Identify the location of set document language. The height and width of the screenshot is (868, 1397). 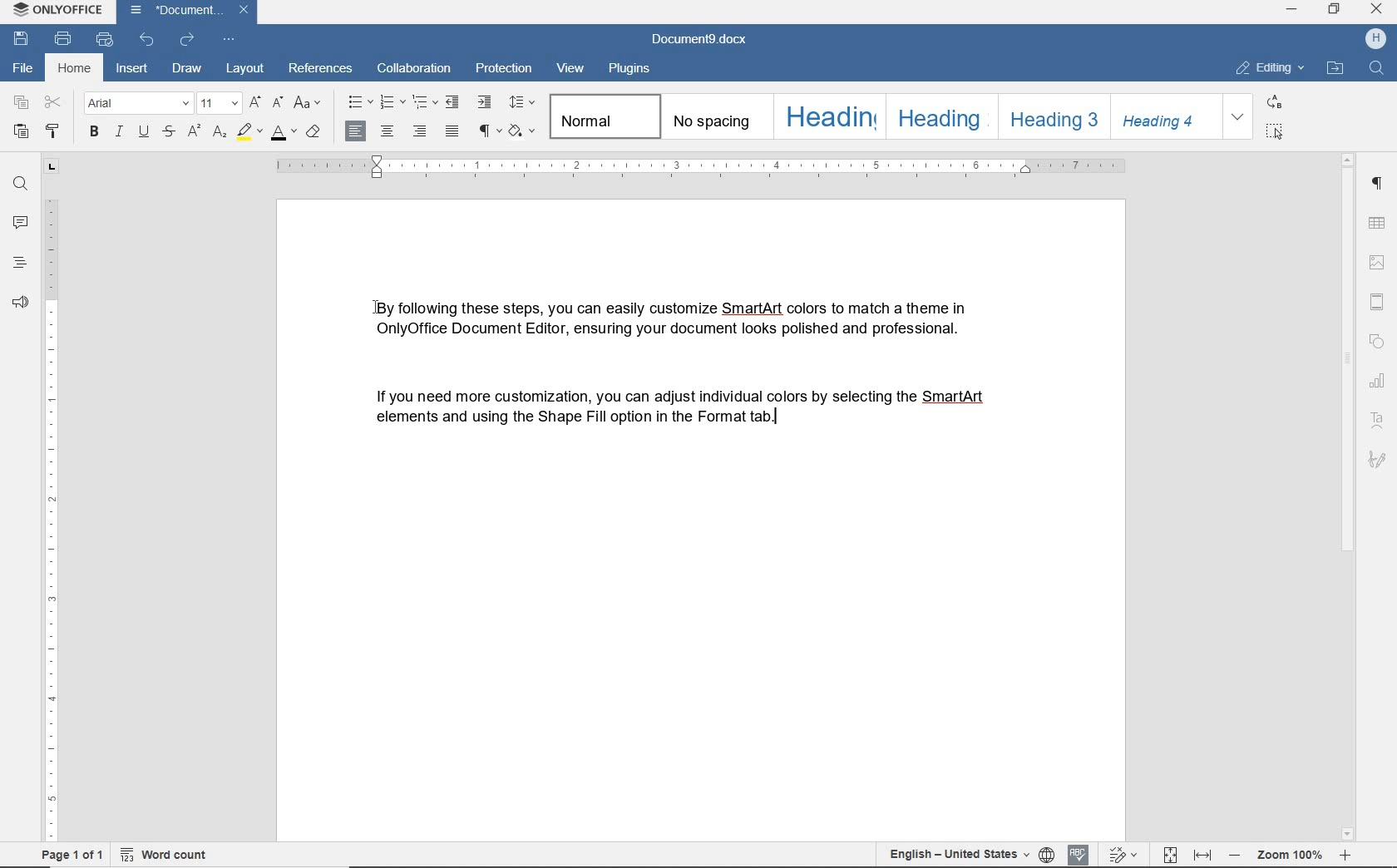
(1047, 852).